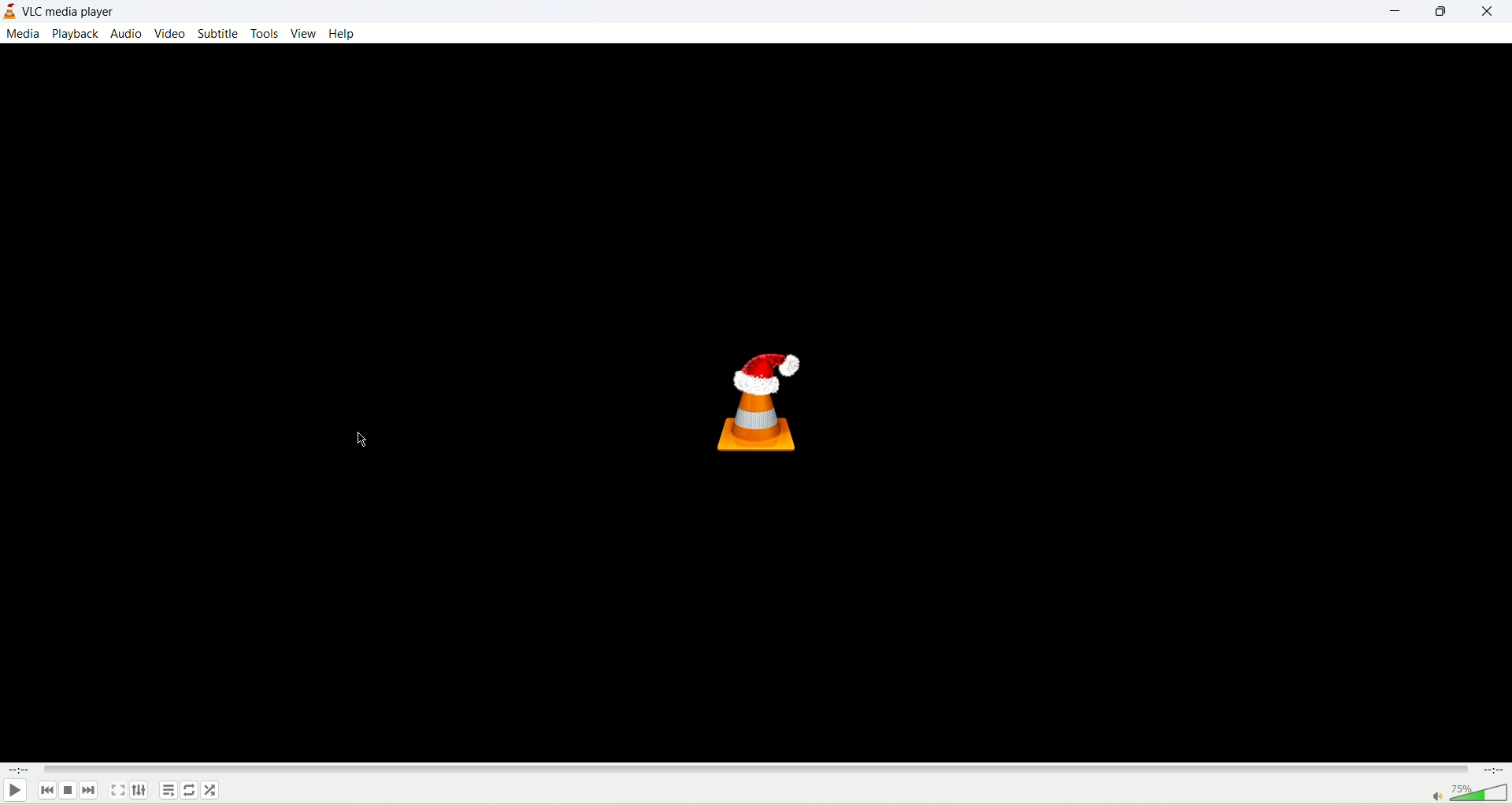  Describe the element at coordinates (169, 790) in the screenshot. I see `playlist` at that location.